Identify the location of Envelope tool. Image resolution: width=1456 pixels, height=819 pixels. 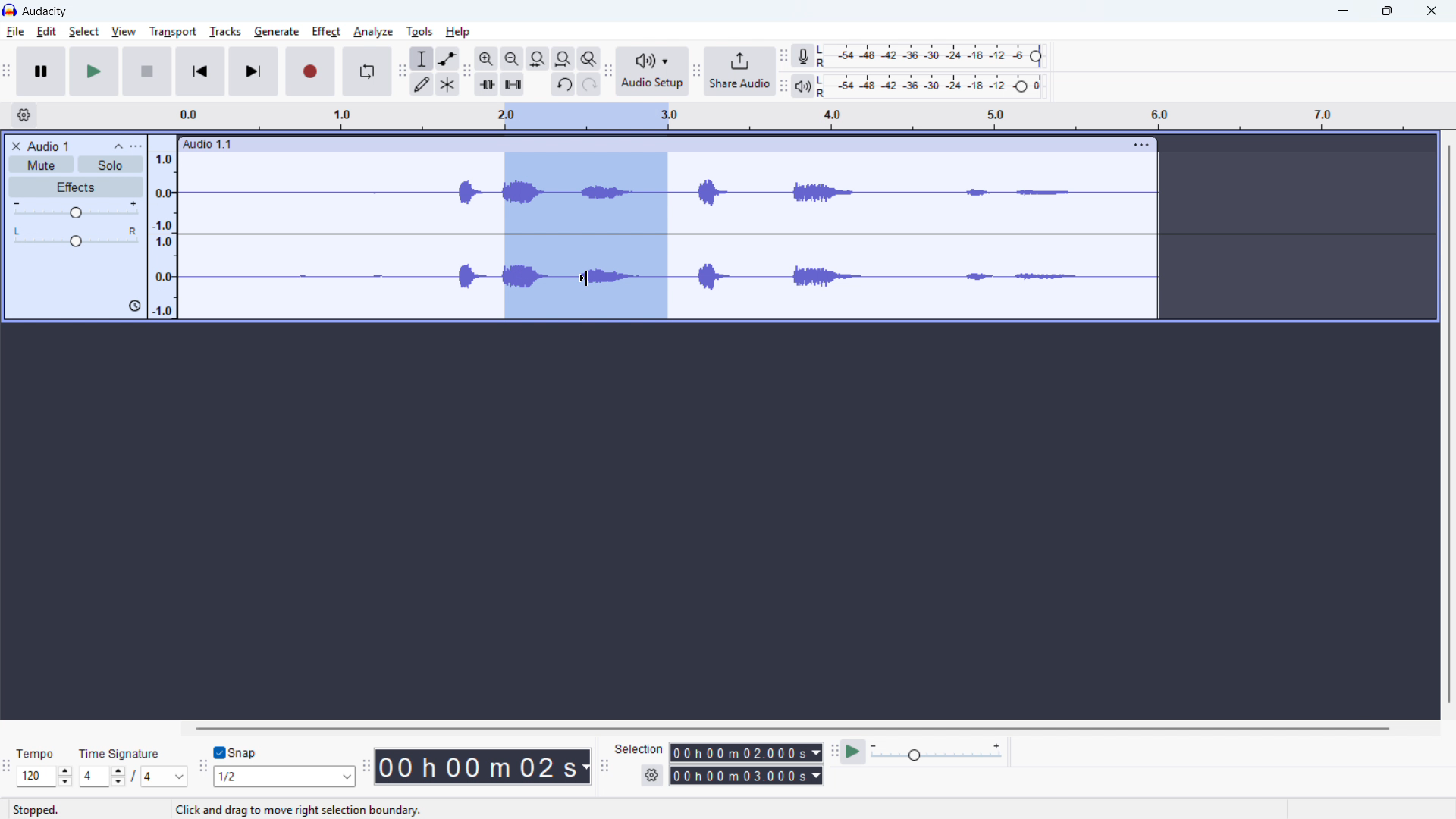
(447, 58).